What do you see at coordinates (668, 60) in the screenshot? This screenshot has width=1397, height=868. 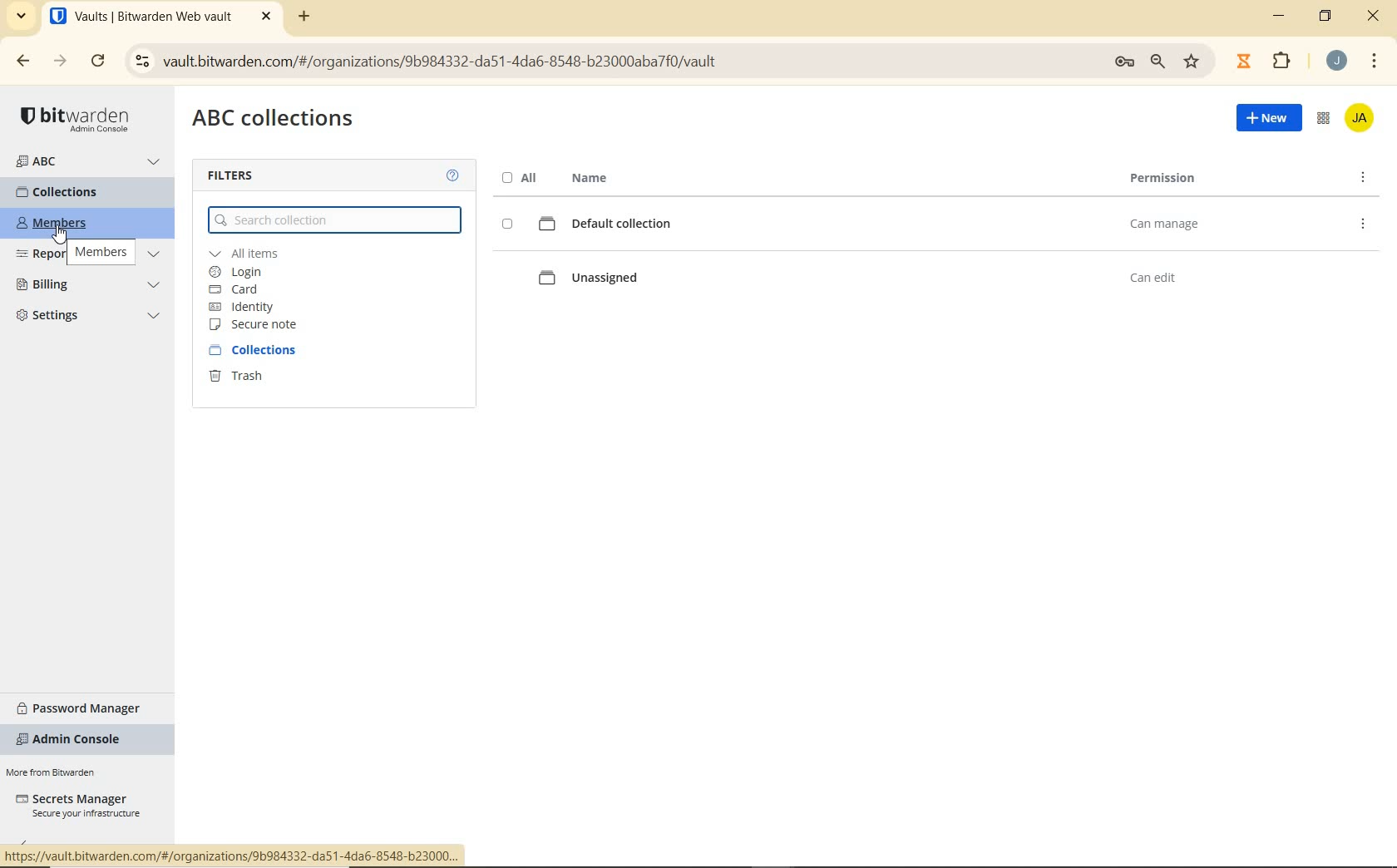 I see `ADDRESS BAR` at bounding box center [668, 60].